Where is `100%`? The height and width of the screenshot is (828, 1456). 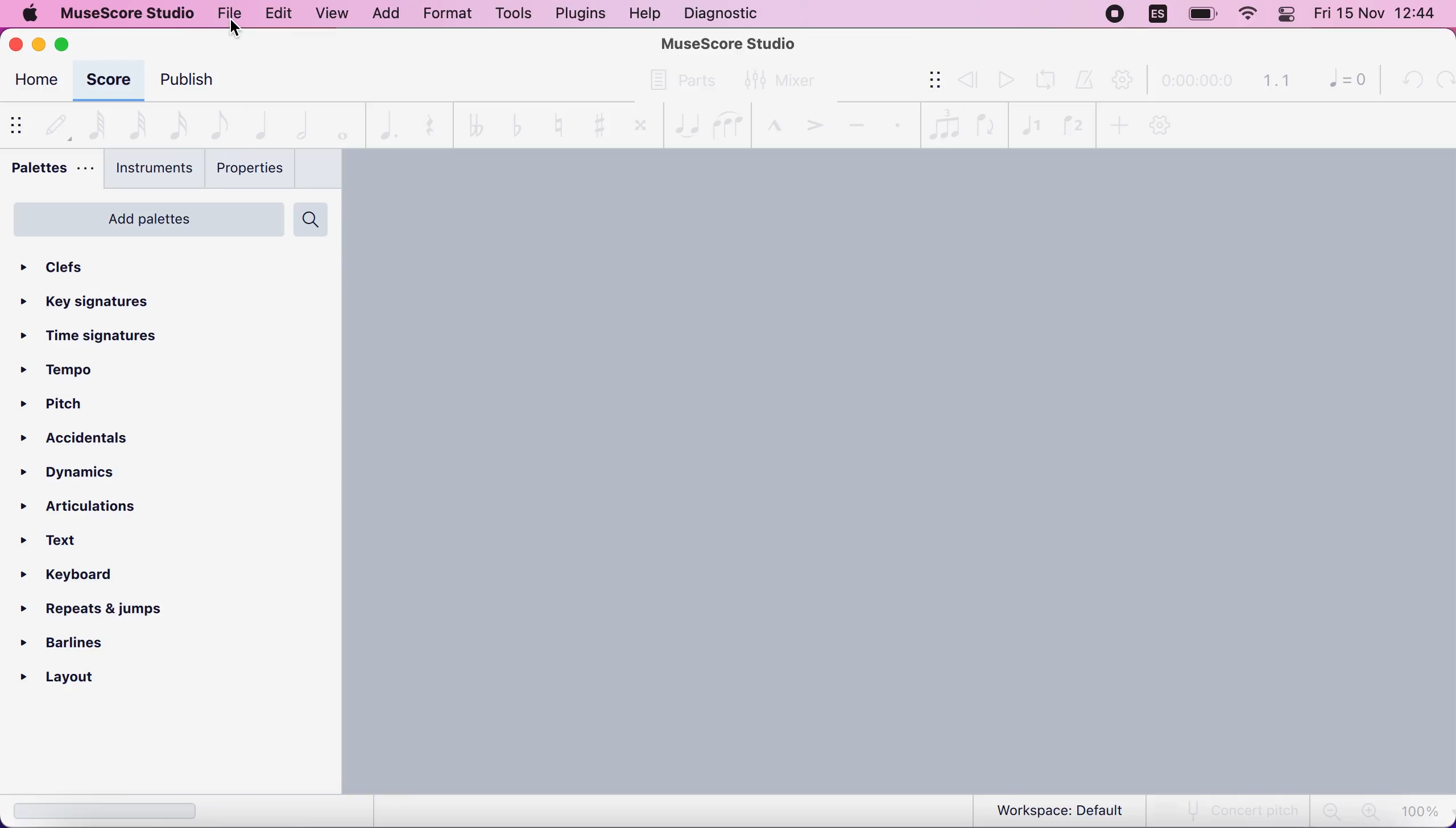
100% is located at coordinates (1422, 810).